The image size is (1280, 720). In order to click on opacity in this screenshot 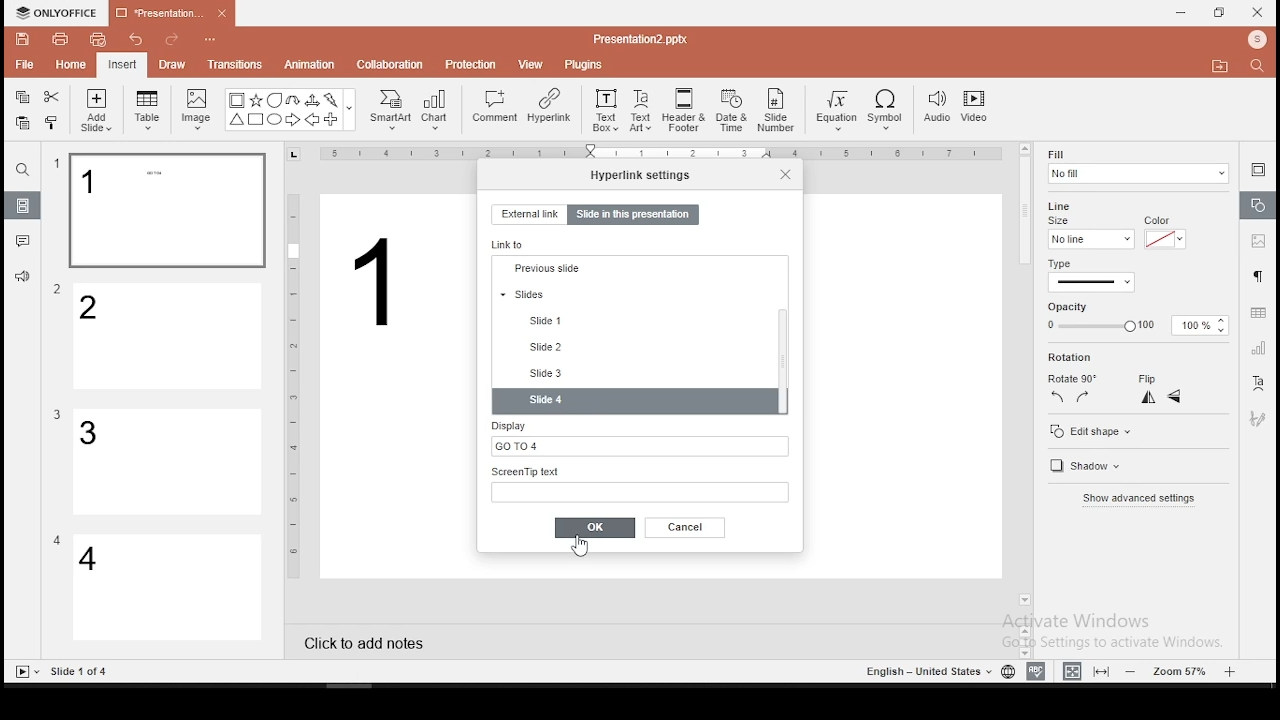, I will do `click(1134, 326)`.